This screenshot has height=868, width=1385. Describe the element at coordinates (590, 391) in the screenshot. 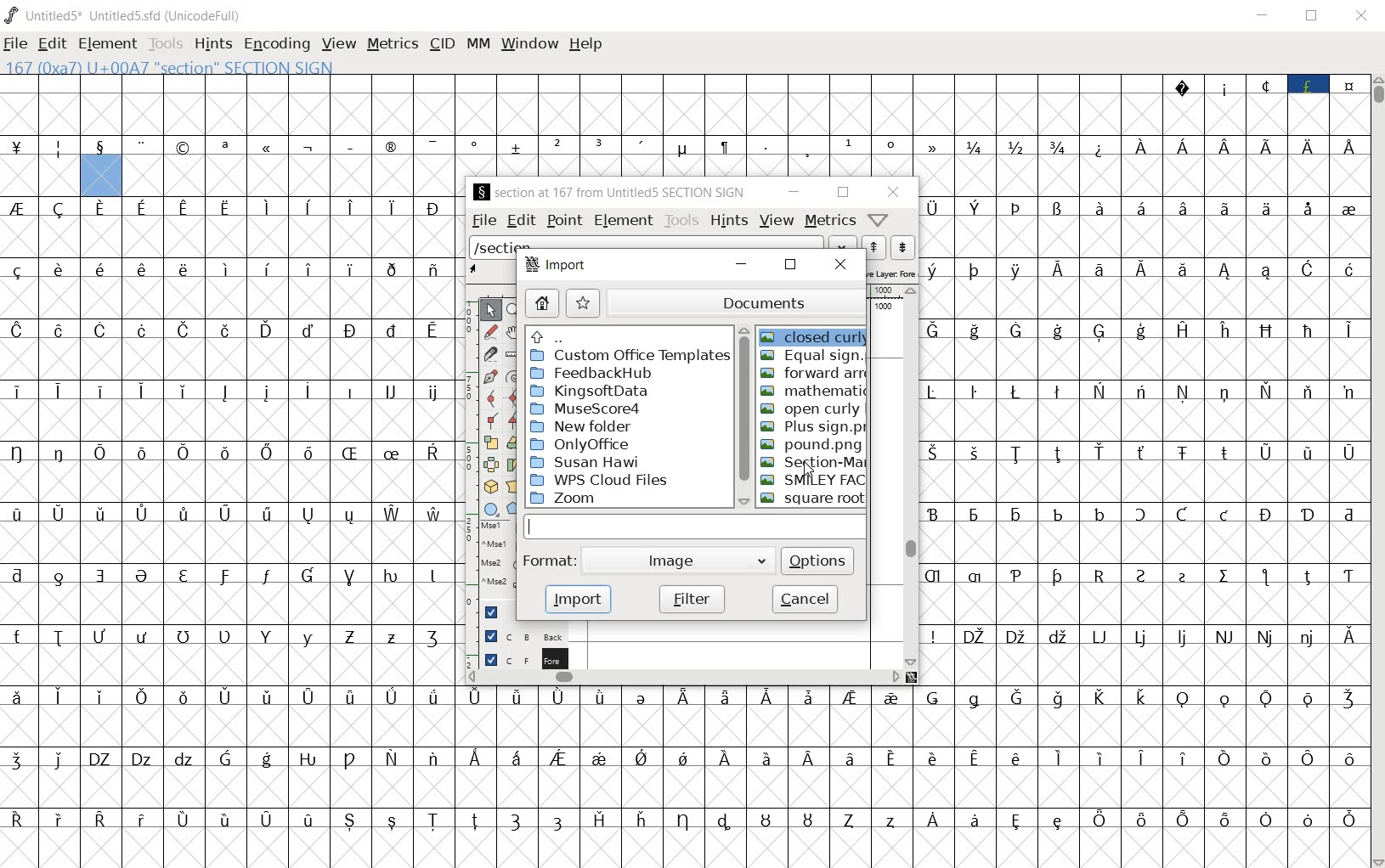

I see `KingsoftData` at that location.